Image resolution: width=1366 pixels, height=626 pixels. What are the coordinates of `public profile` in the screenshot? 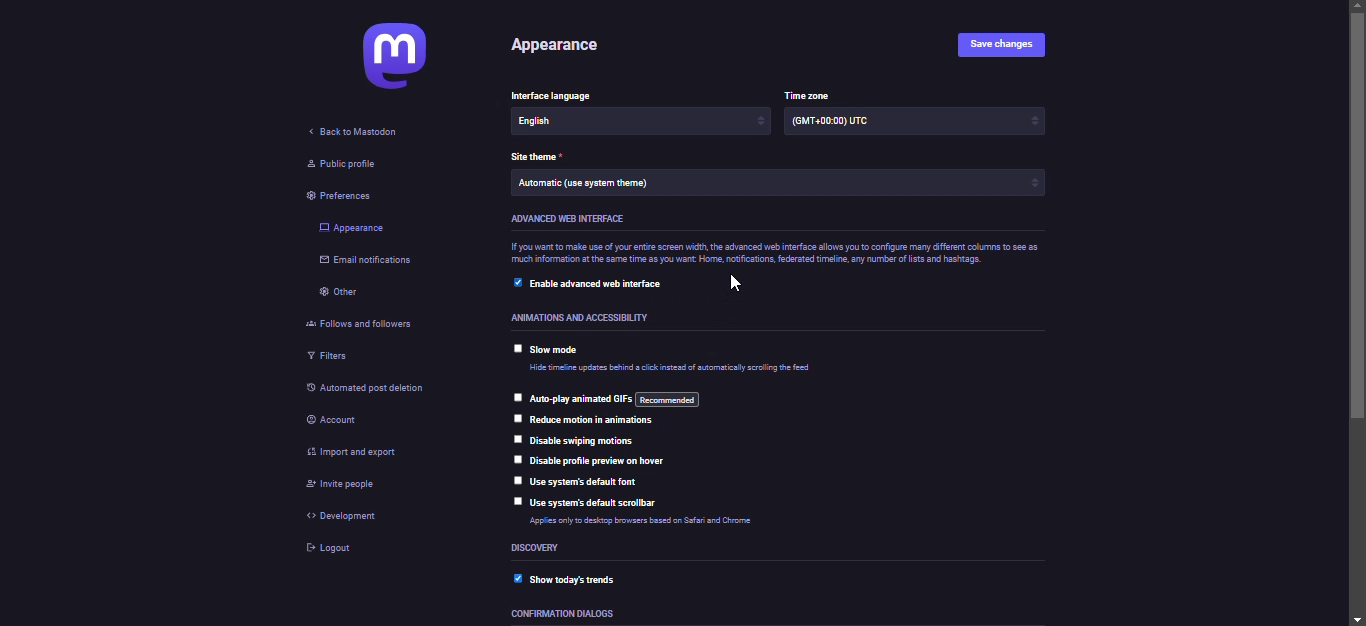 It's located at (345, 165).